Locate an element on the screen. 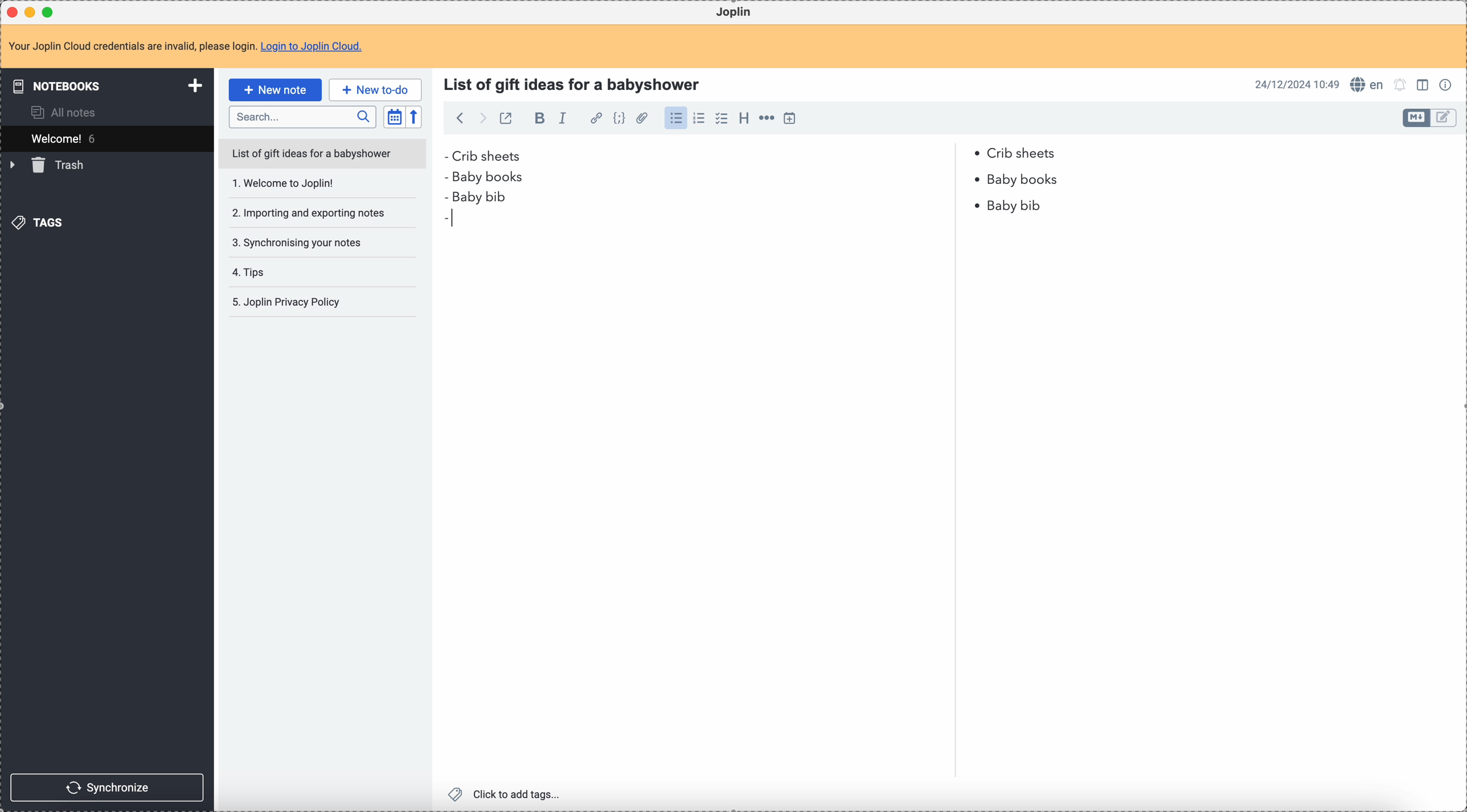  hyperlink is located at coordinates (596, 119).